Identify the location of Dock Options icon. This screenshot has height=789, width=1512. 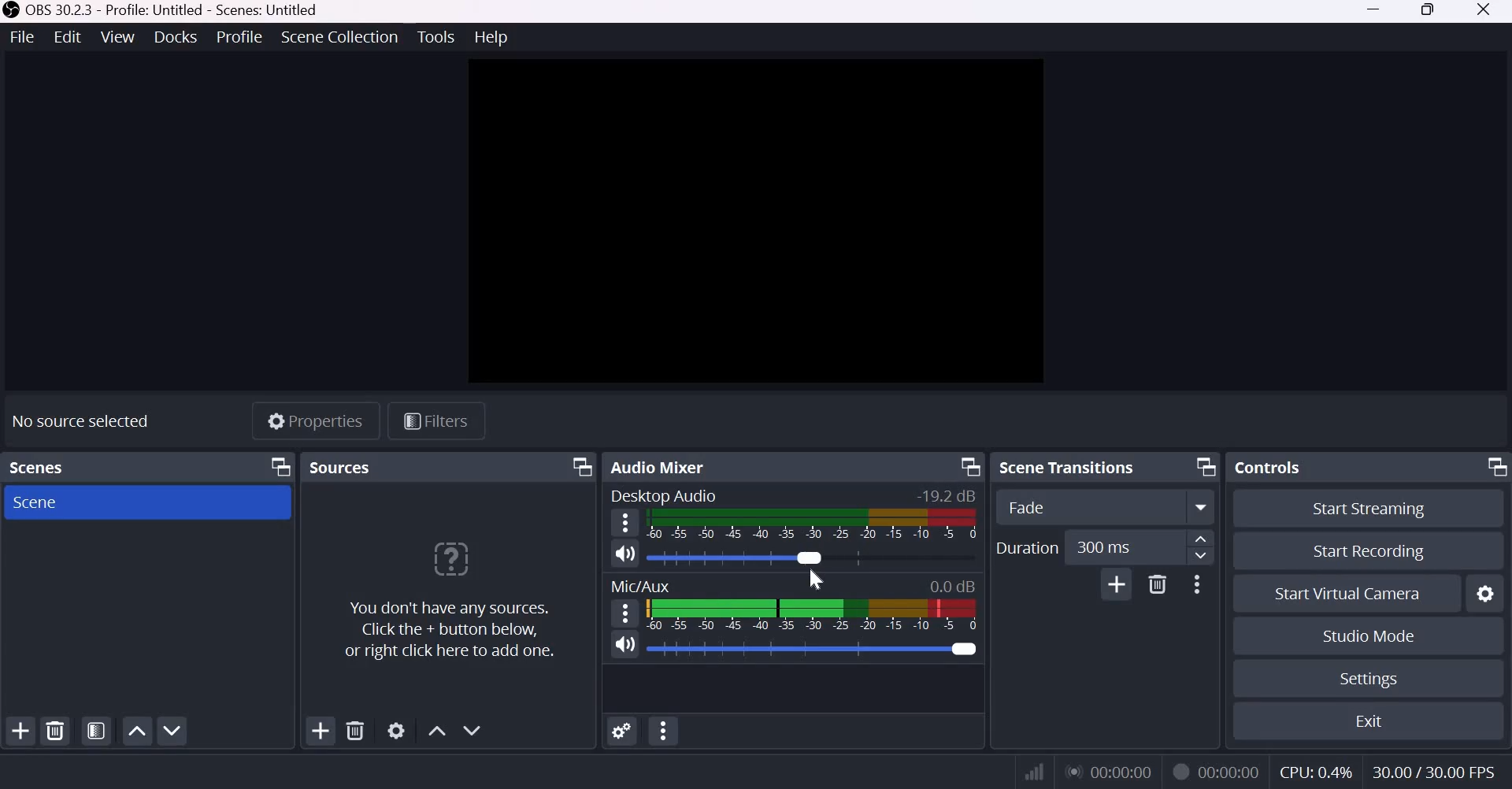
(282, 467).